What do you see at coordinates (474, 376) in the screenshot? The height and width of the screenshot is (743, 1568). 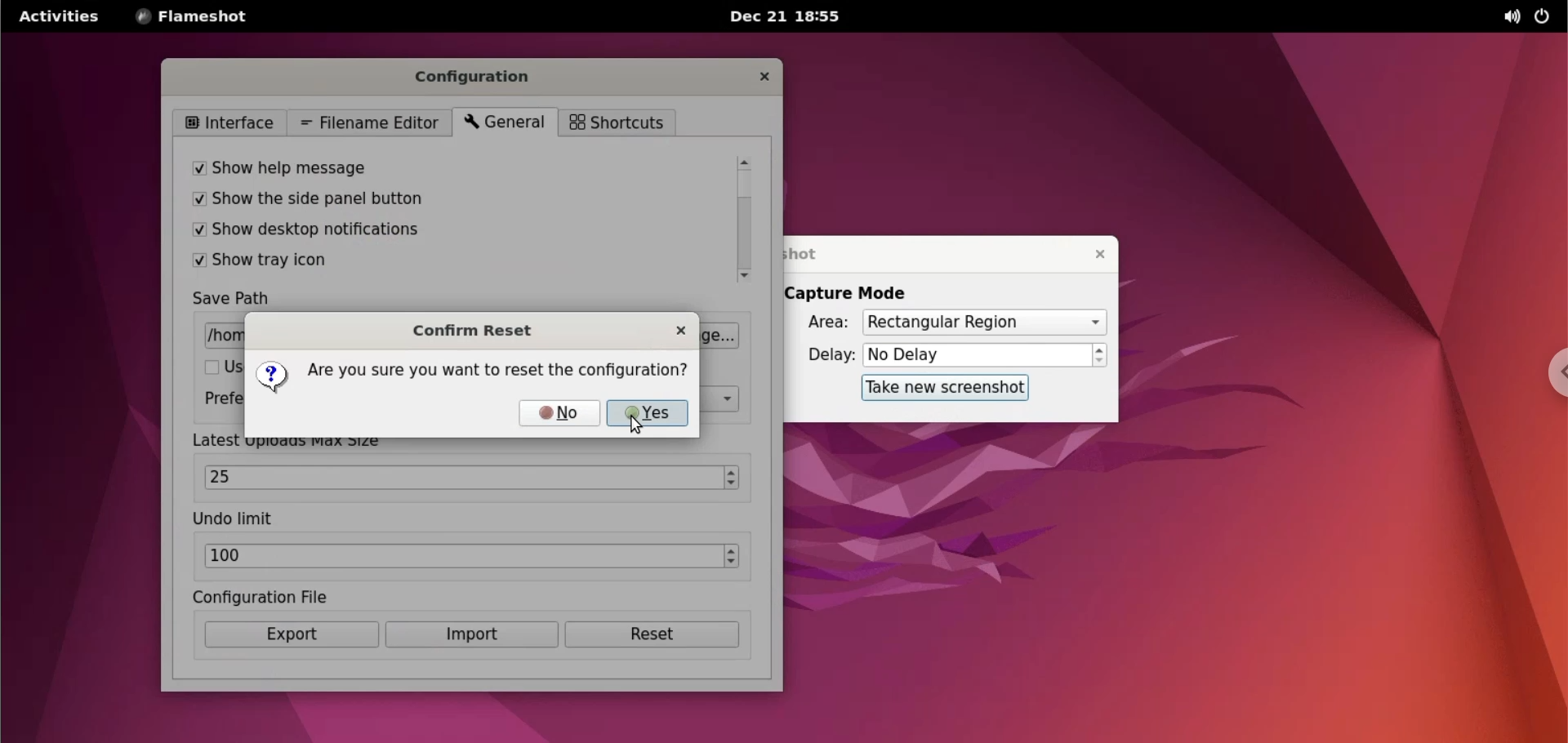 I see `Are you sure you want to reset the confirmation?` at bounding box center [474, 376].